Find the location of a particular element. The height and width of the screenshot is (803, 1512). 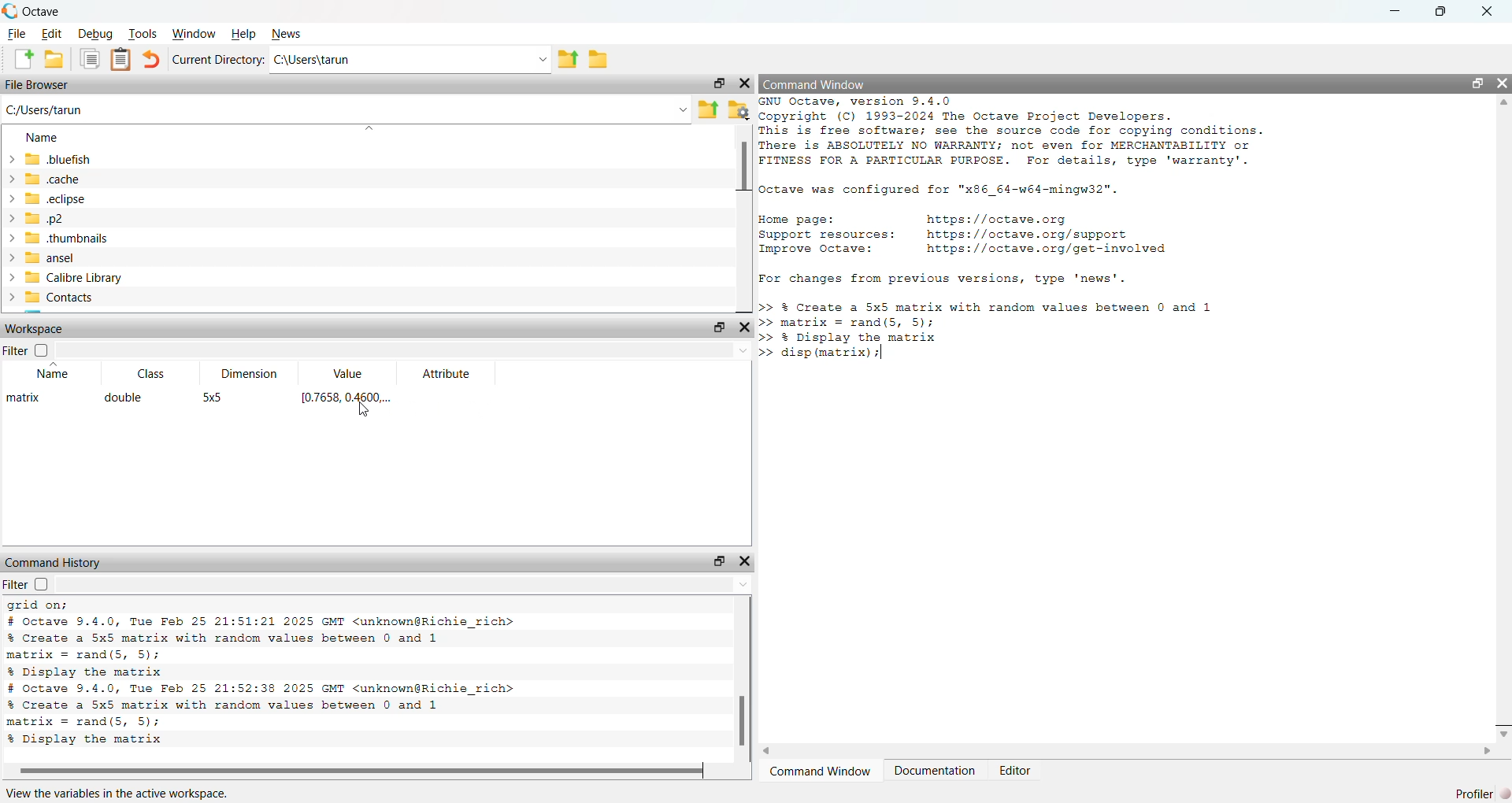

Documentation is located at coordinates (933, 773).